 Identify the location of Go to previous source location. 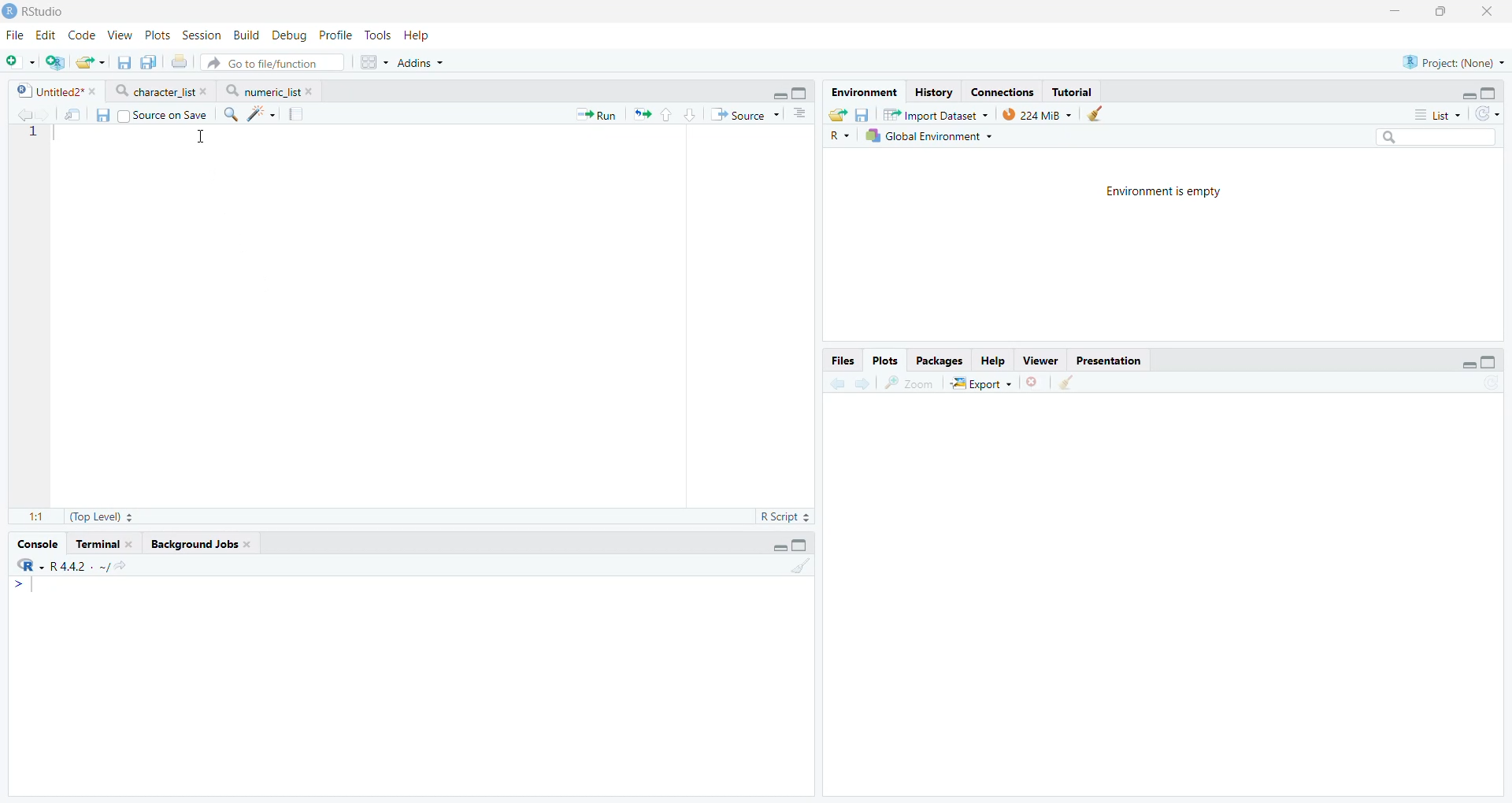
(22, 114).